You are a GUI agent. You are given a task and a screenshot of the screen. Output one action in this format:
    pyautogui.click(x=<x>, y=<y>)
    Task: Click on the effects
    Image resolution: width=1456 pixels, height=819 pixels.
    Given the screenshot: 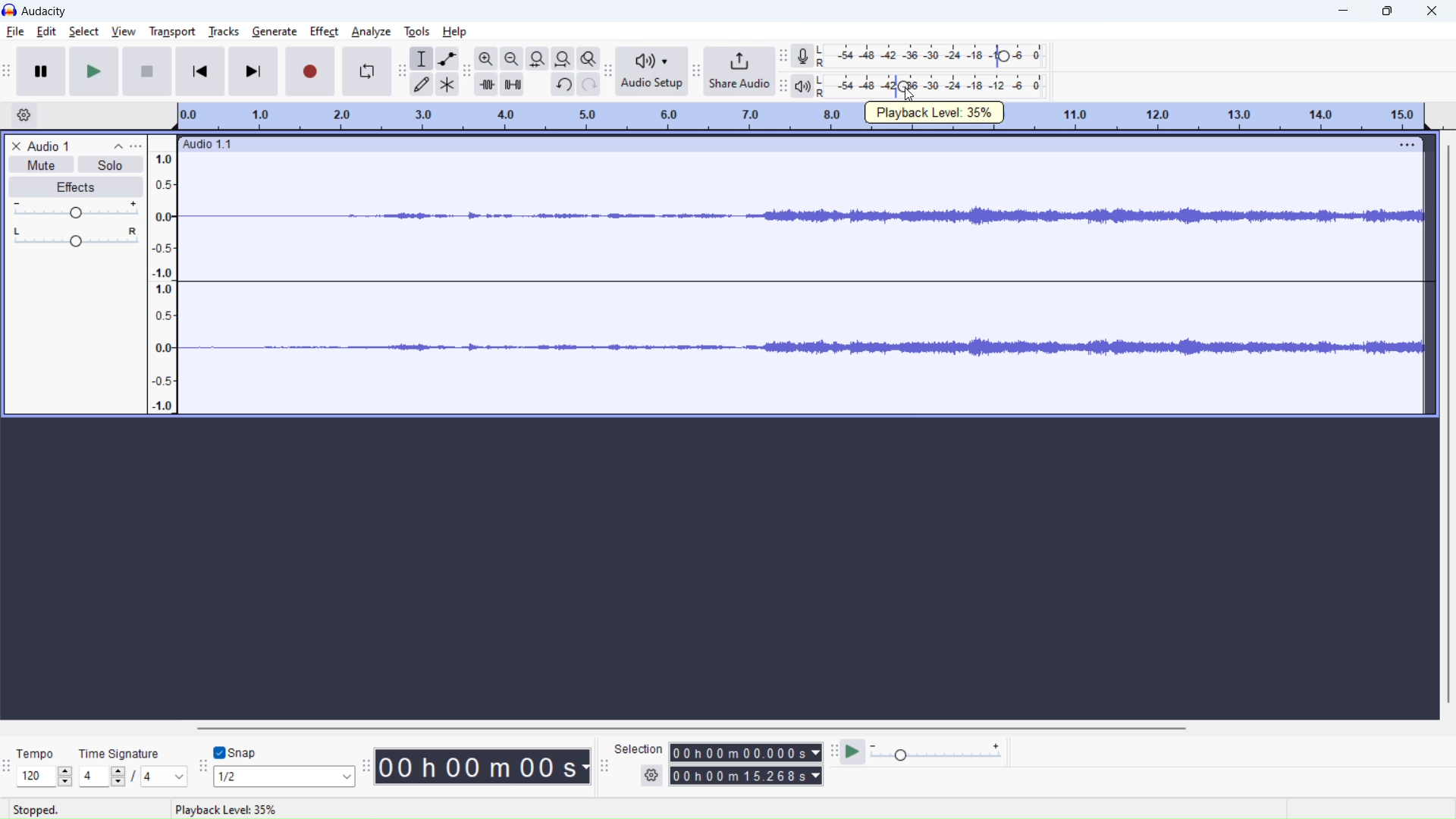 What is the action you would take?
    pyautogui.click(x=75, y=186)
    